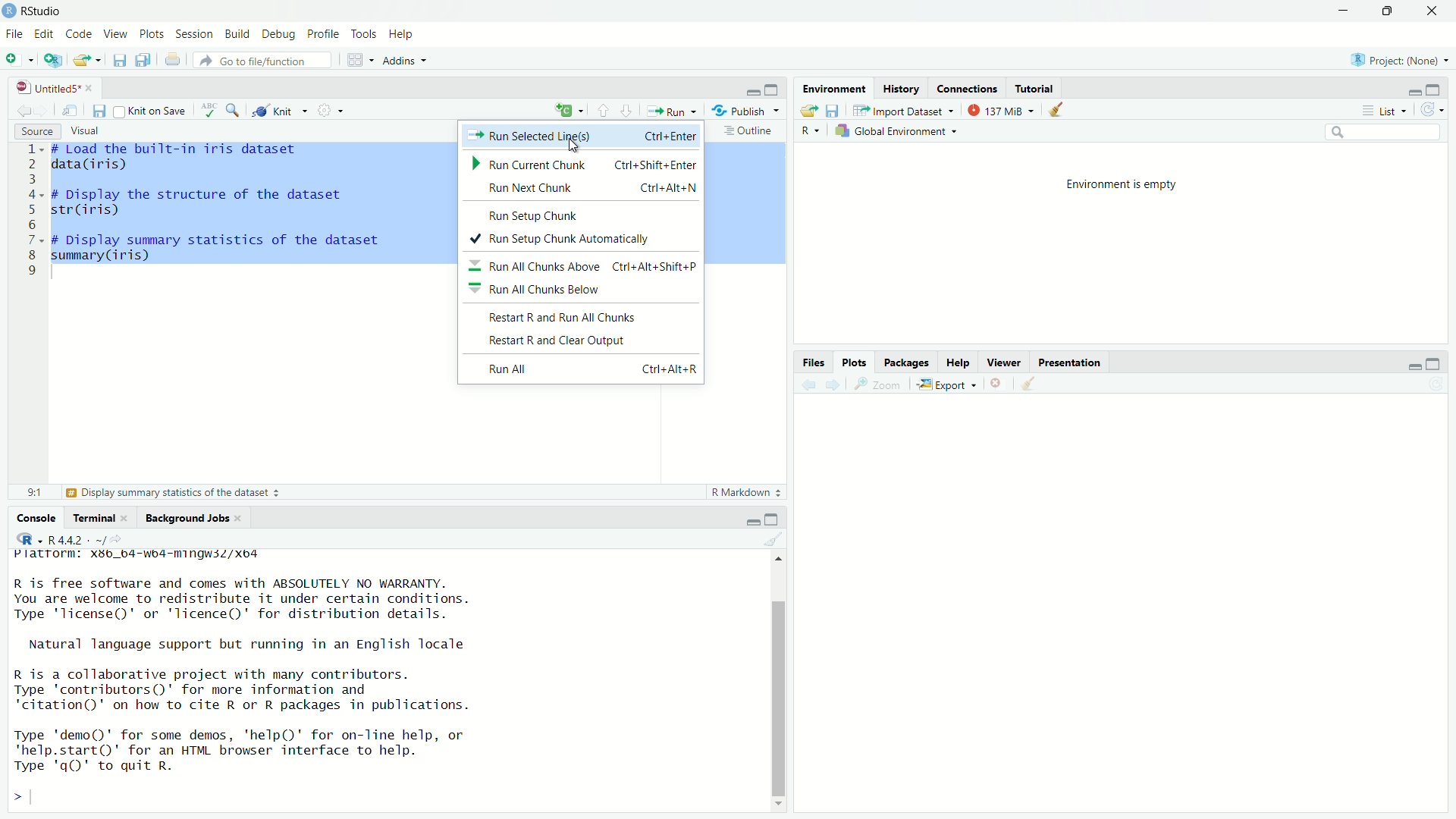 The width and height of the screenshot is (1456, 819). What do you see at coordinates (402, 34) in the screenshot?
I see `Help` at bounding box center [402, 34].